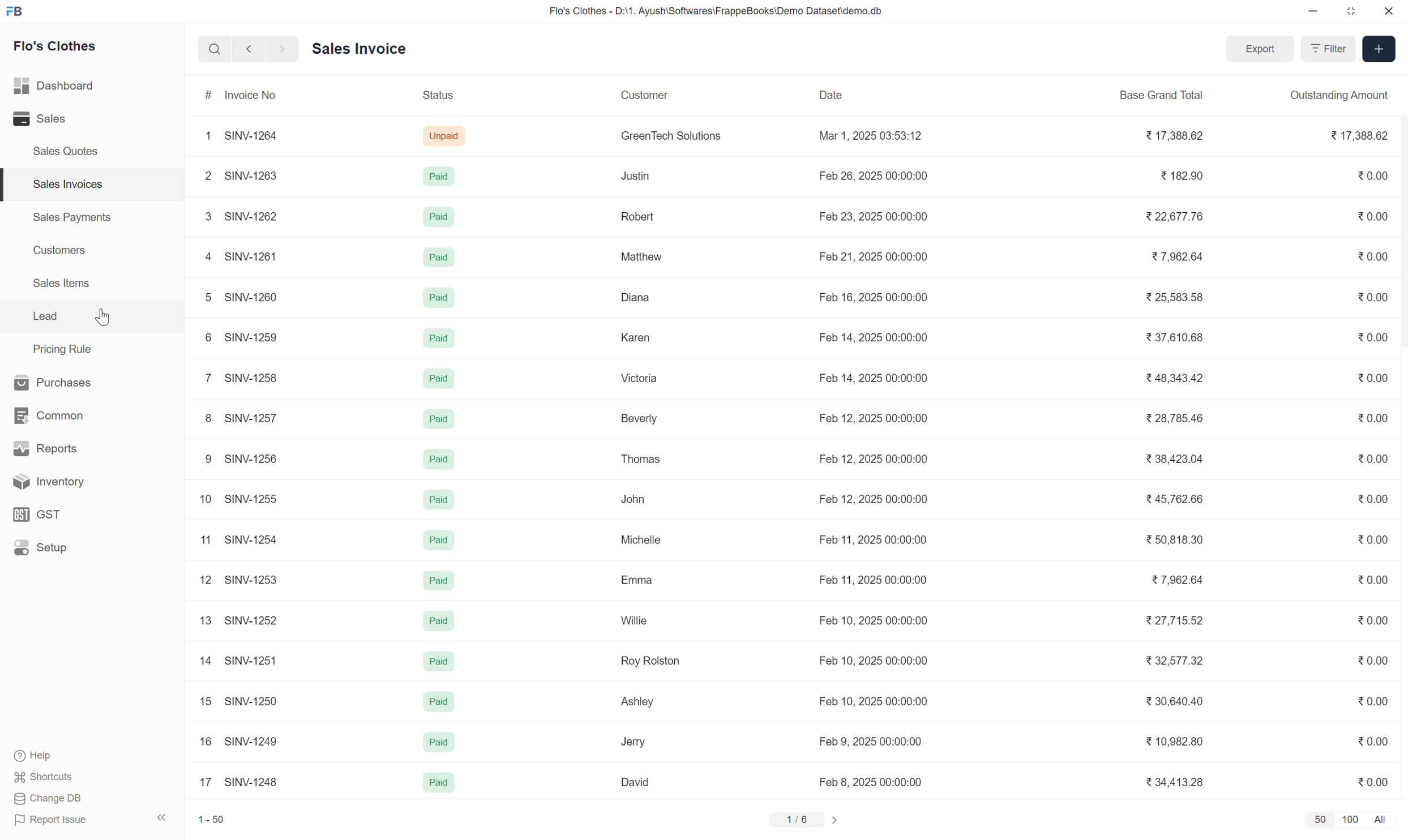 This screenshot has height=840, width=1408. Describe the element at coordinates (361, 48) in the screenshot. I see `Sales Invoice` at that location.